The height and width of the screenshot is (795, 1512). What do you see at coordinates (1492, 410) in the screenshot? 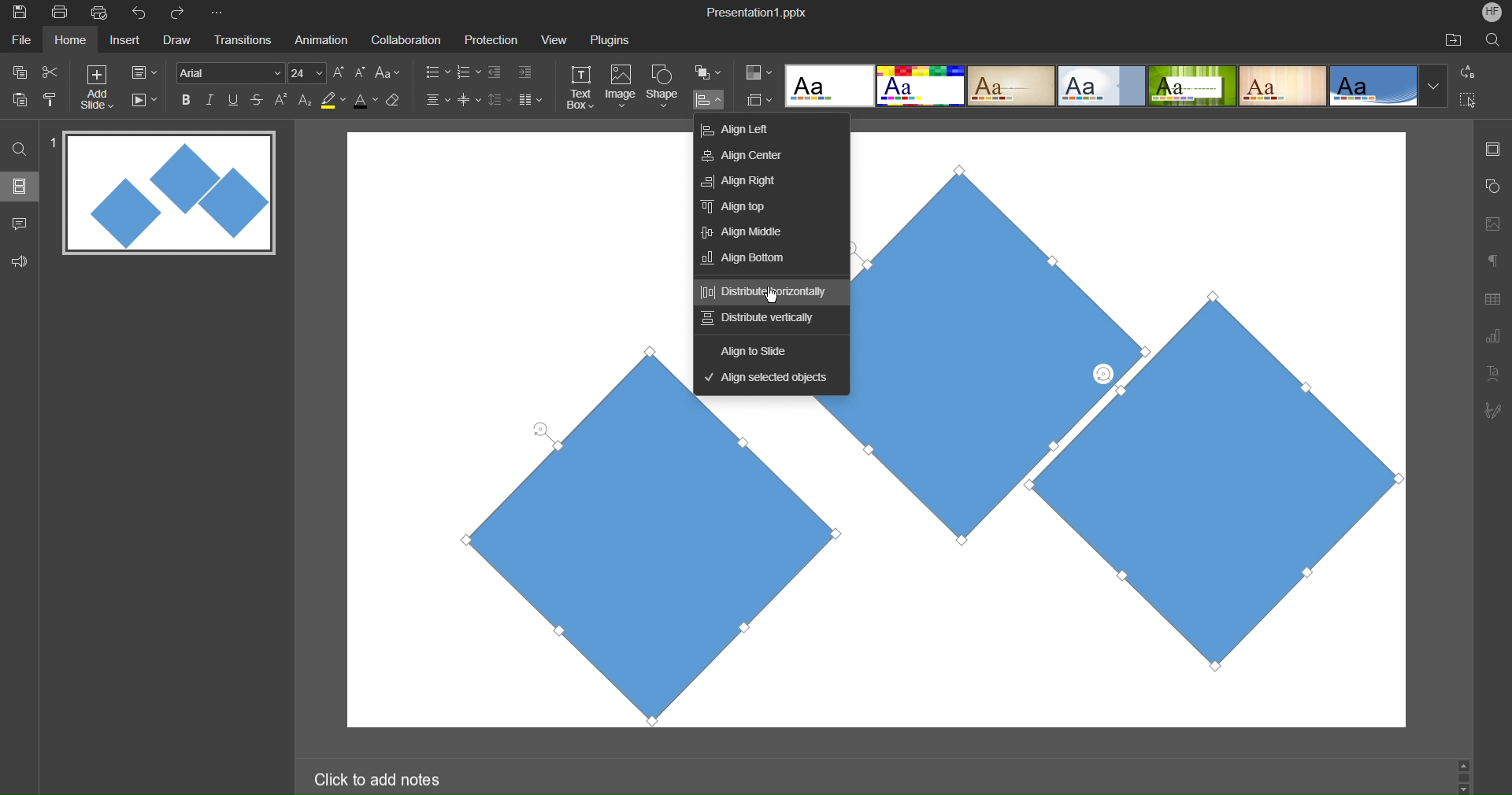
I see `Signature` at bounding box center [1492, 410].